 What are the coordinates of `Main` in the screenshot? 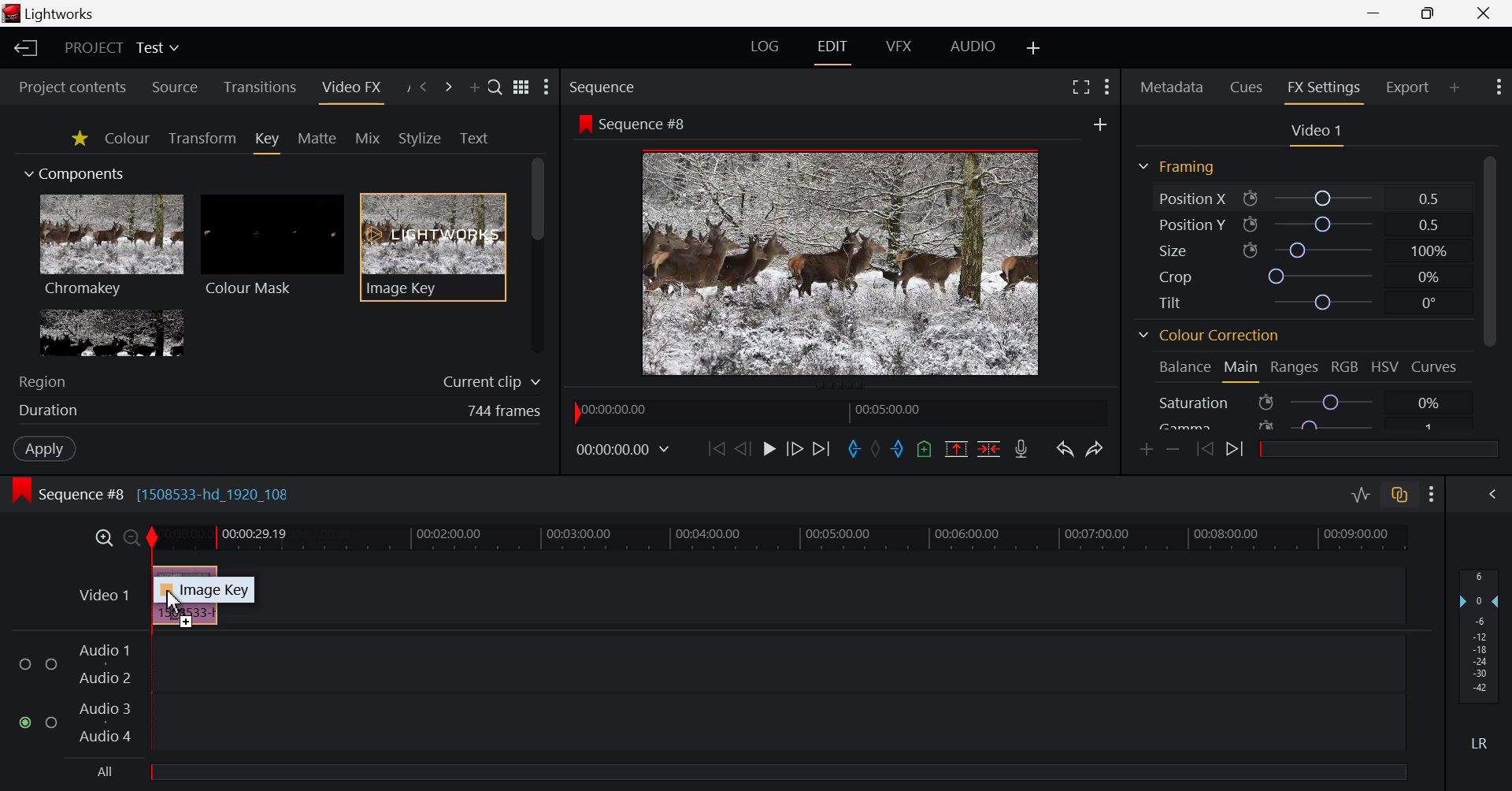 It's located at (1241, 368).